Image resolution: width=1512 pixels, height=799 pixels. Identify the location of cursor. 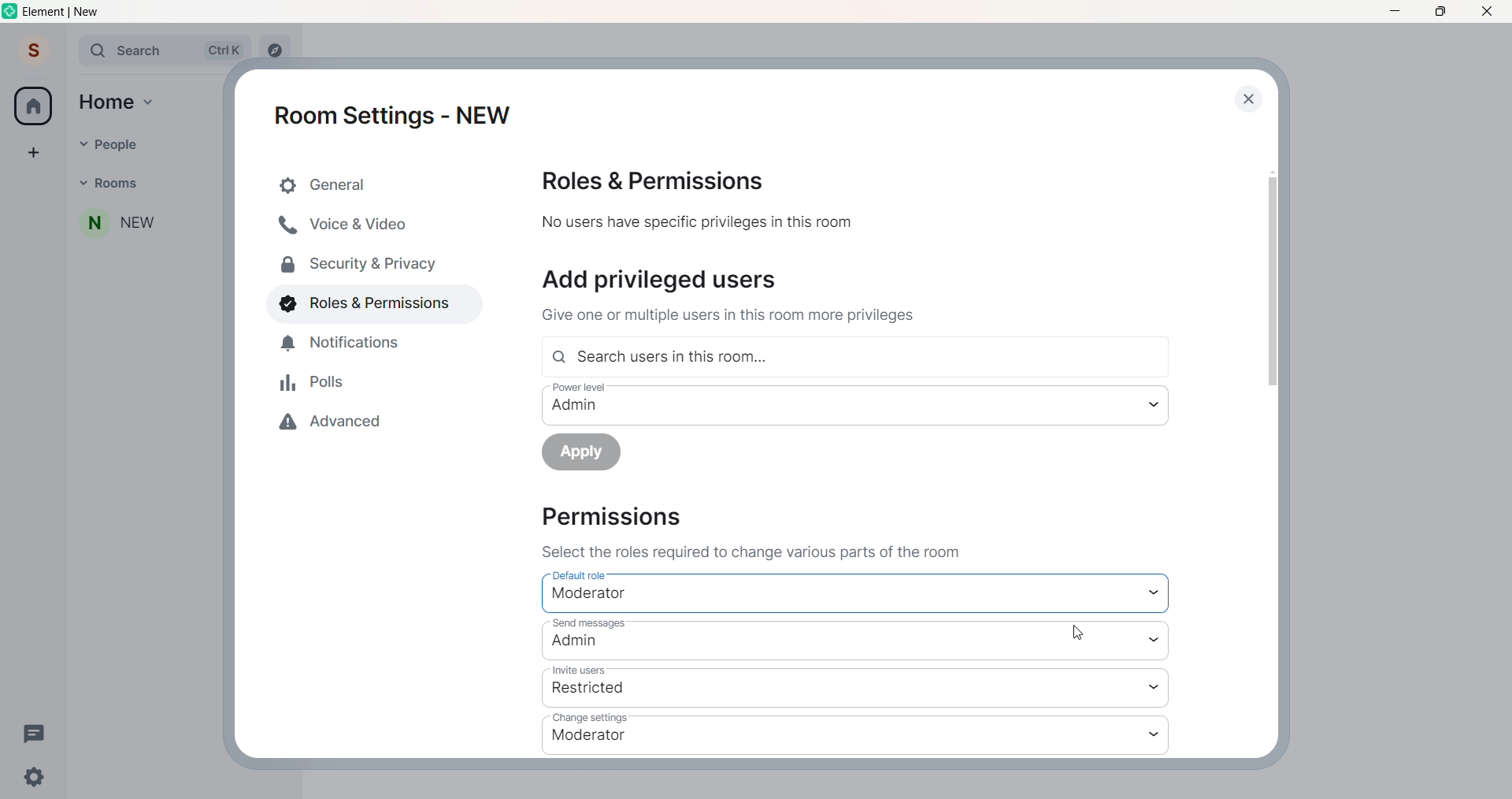
(1080, 633).